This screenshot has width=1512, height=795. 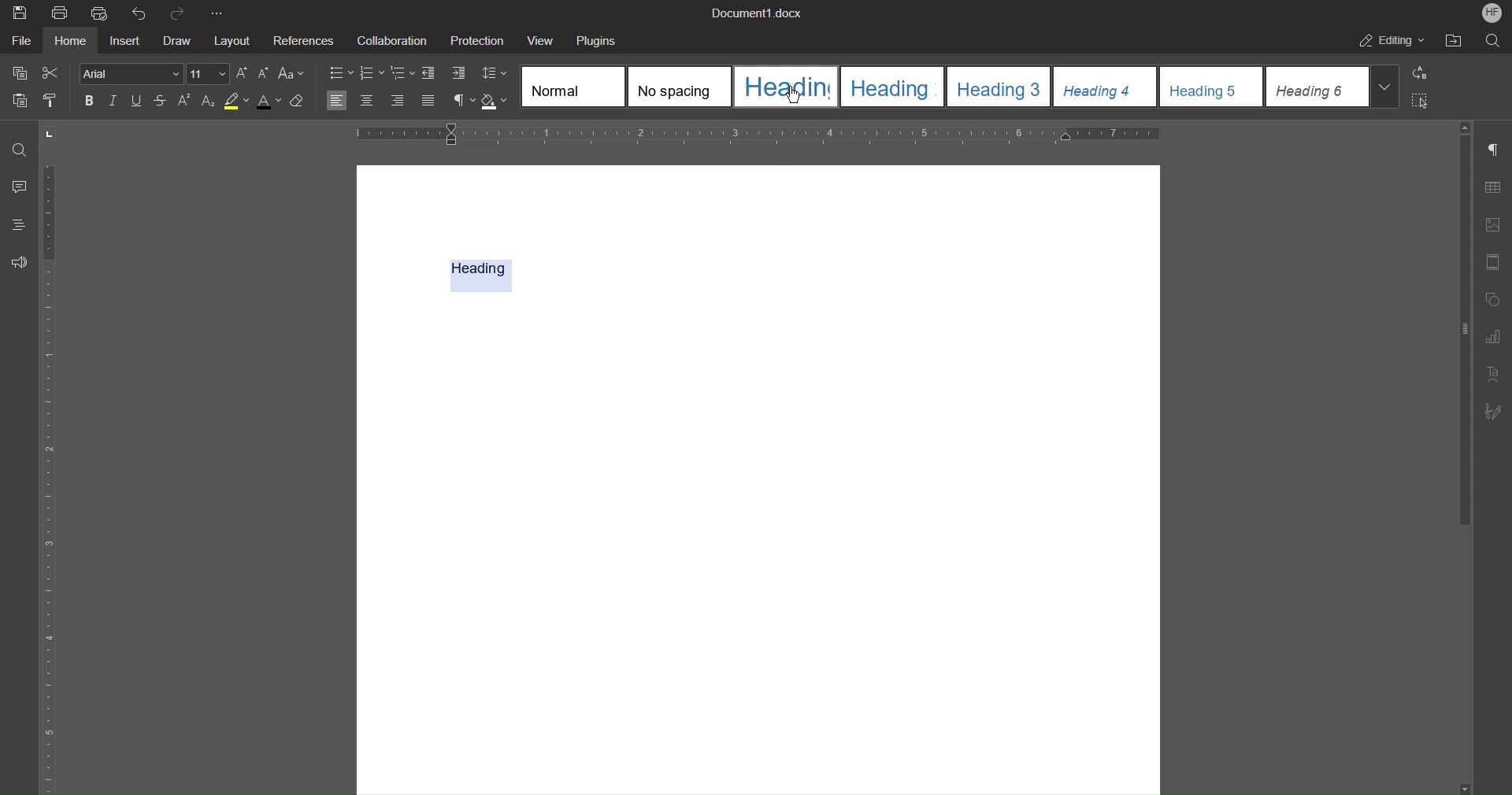 What do you see at coordinates (1494, 189) in the screenshot?
I see `Table` at bounding box center [1494, 189].